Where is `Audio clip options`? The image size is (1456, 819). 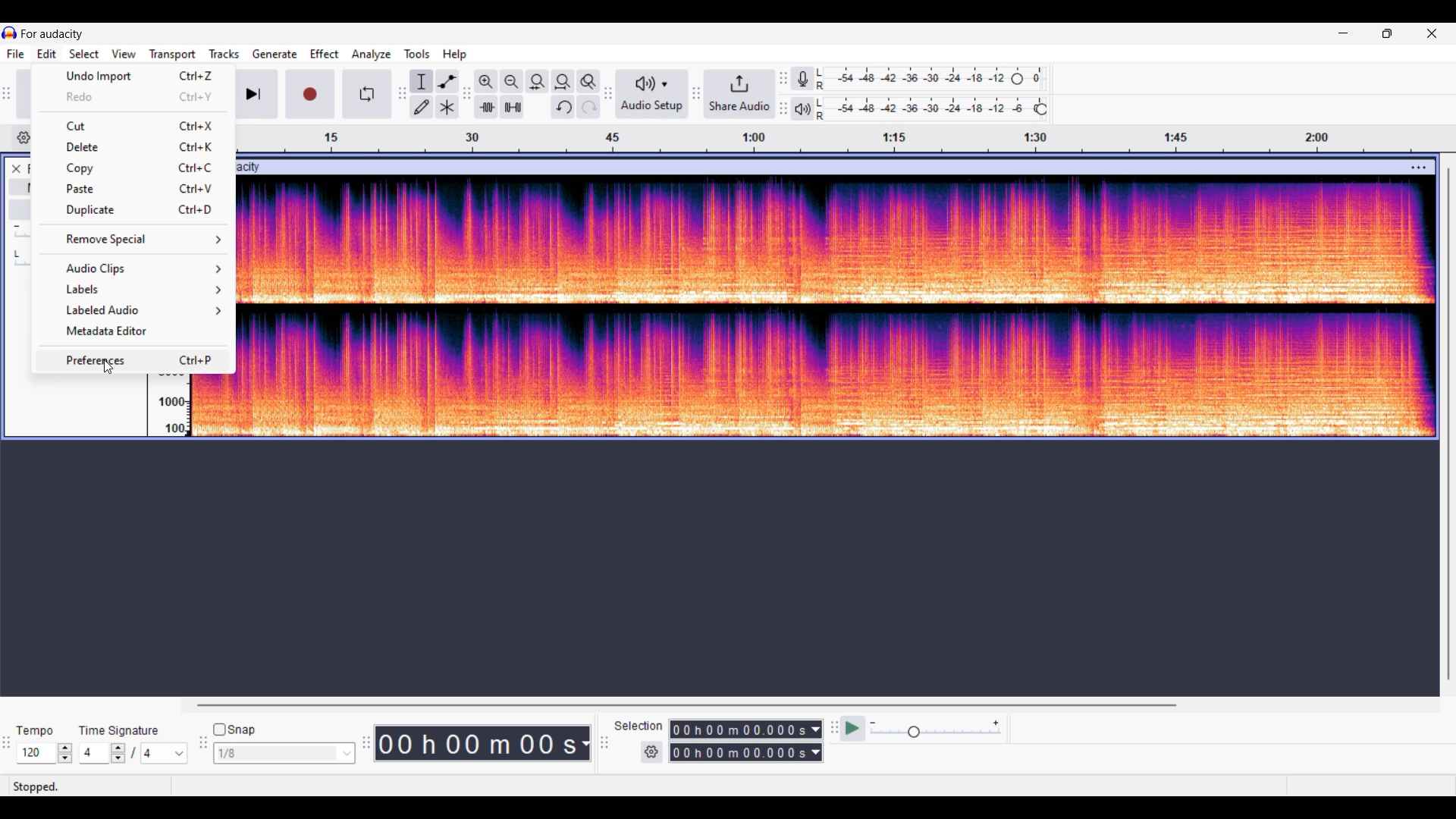 Audio clip options is located at coordinates (134, 268).